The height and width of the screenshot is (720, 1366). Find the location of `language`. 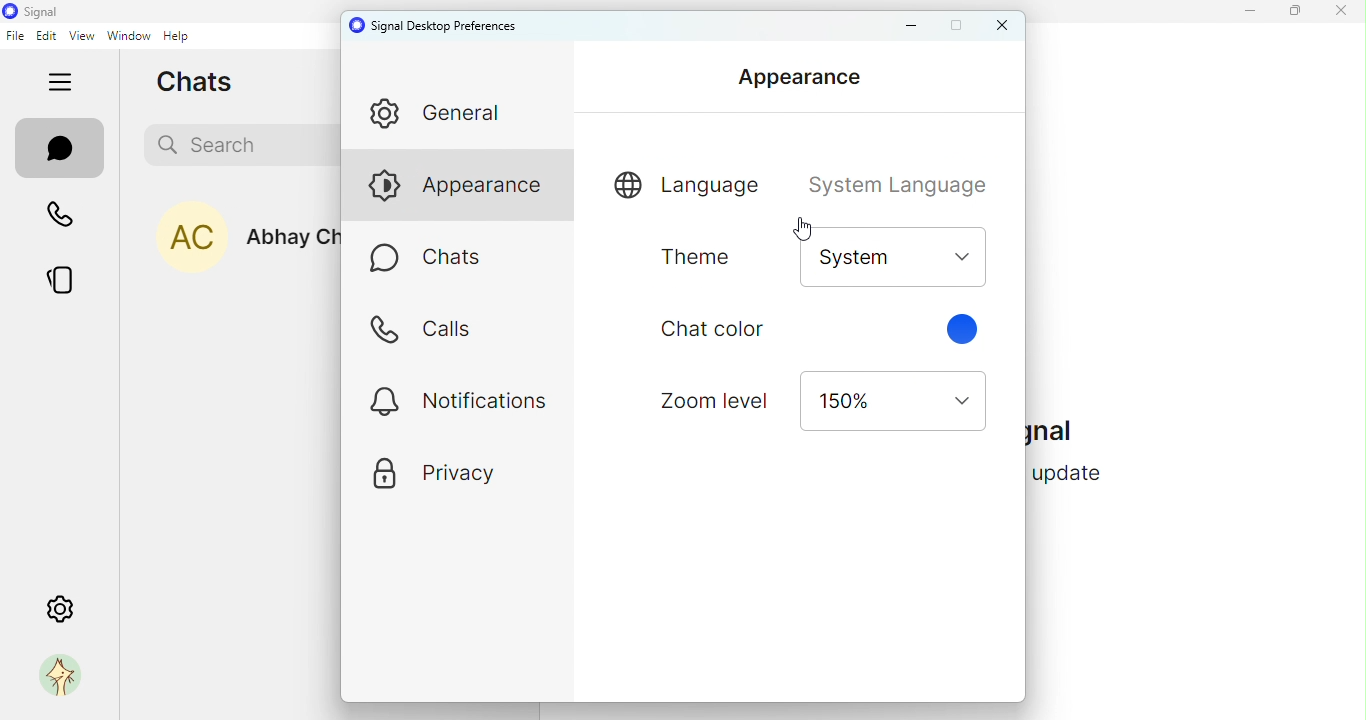

language is located at coordinates (688, 184).